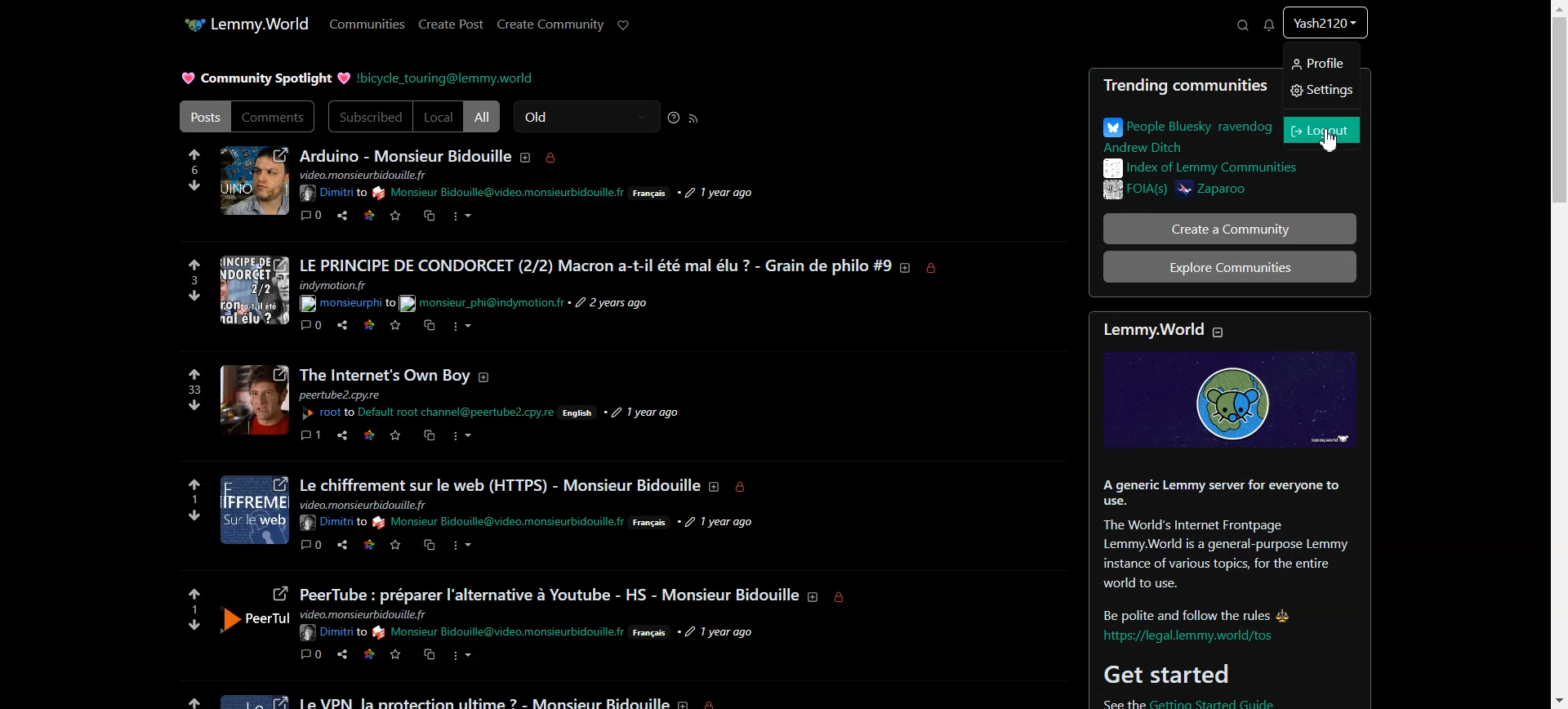  I want to click on save, so click(396, 437).